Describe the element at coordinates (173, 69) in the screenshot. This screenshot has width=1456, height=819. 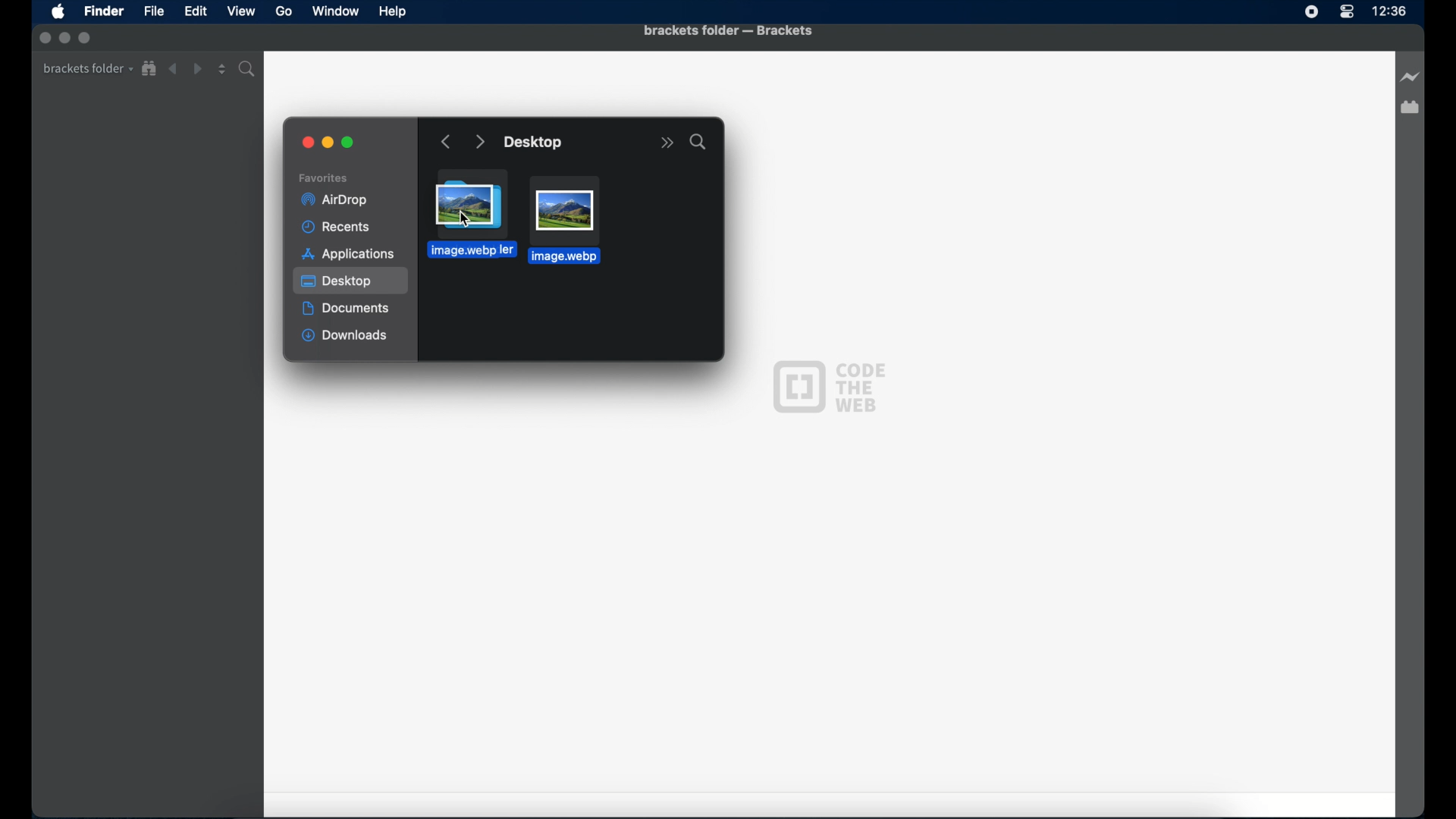
I see `back` at that location.